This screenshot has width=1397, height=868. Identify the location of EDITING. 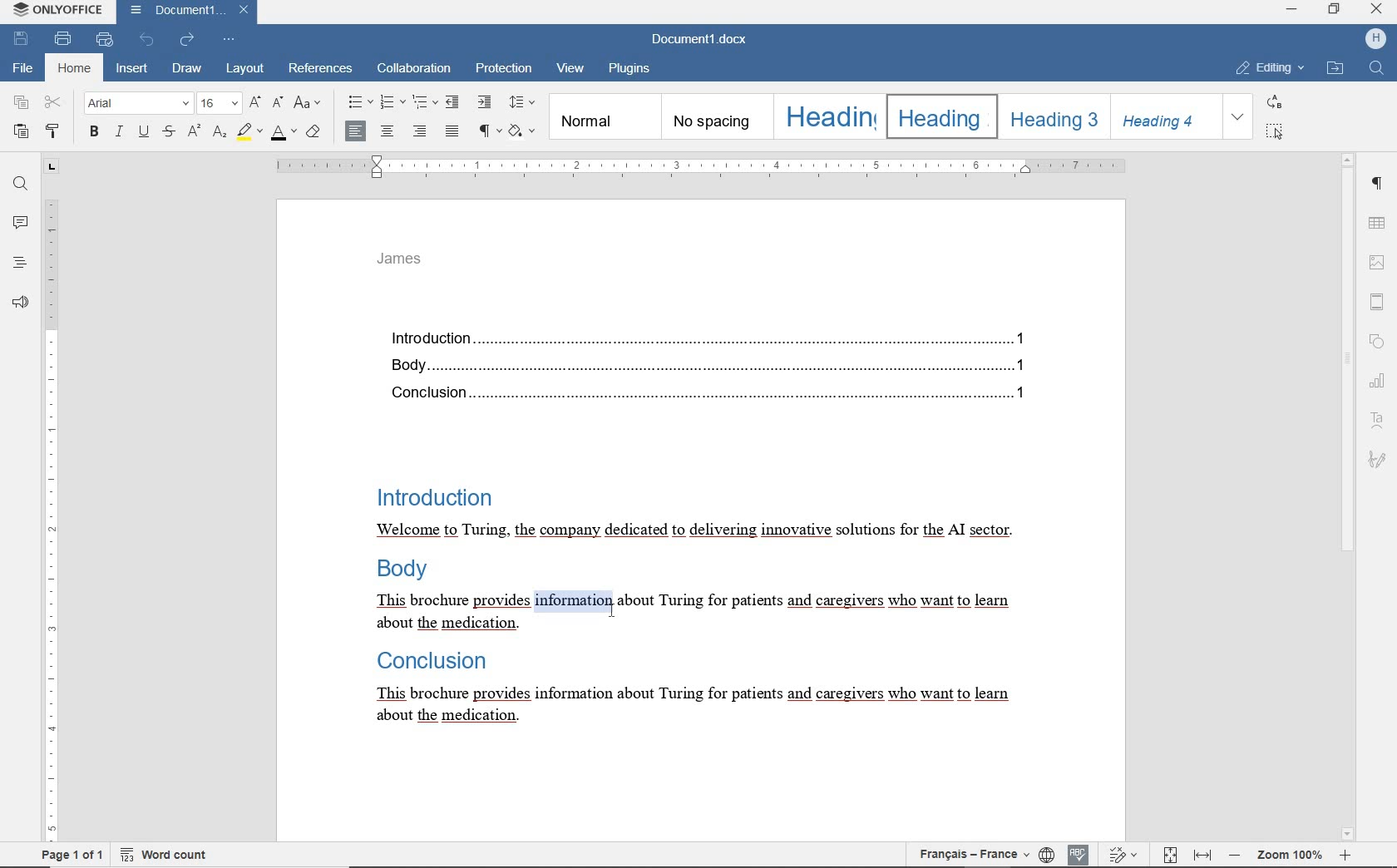
(1267, 69).